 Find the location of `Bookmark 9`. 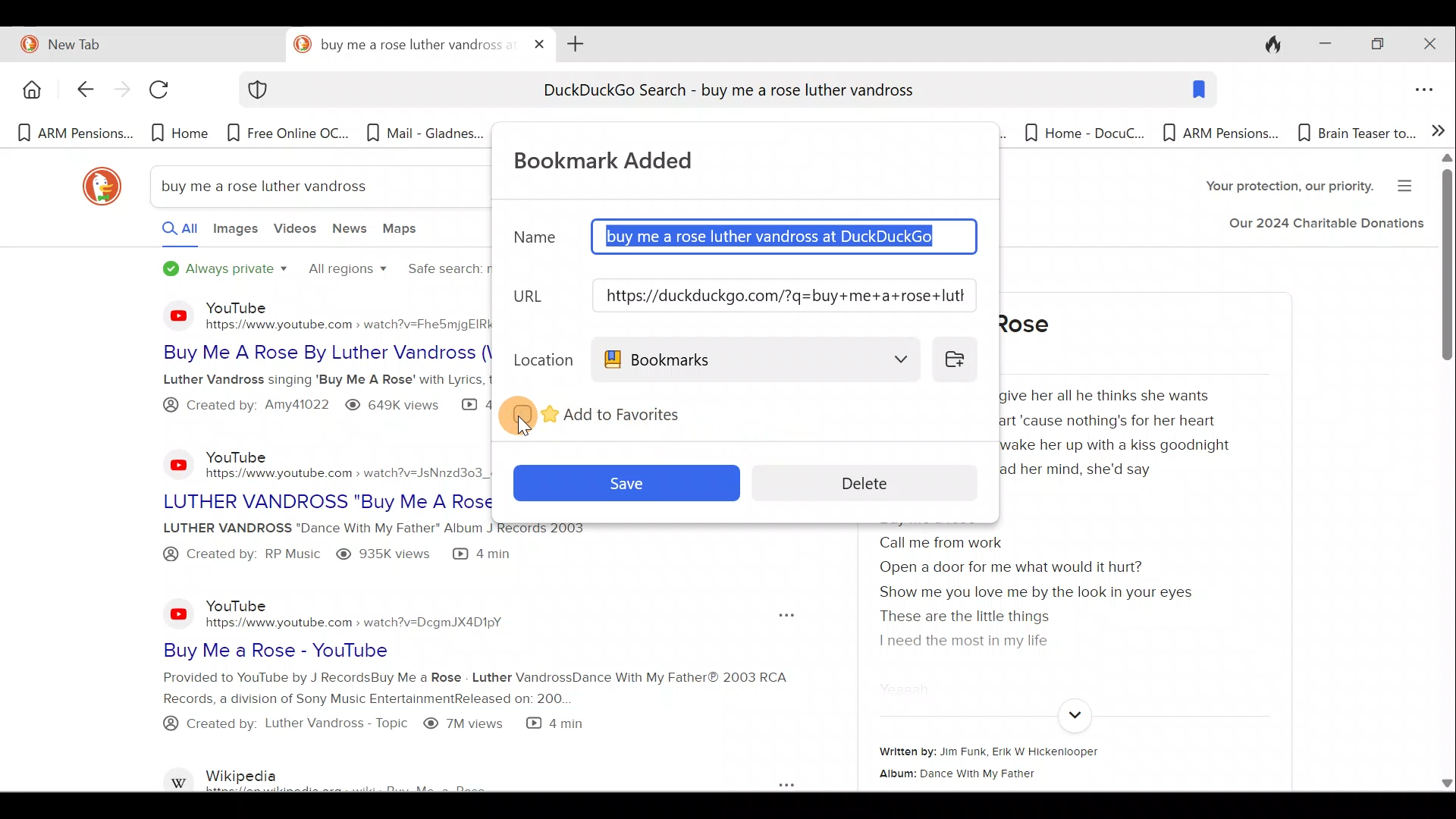

Bookmark 9 is located at coordinates (1077, 133).